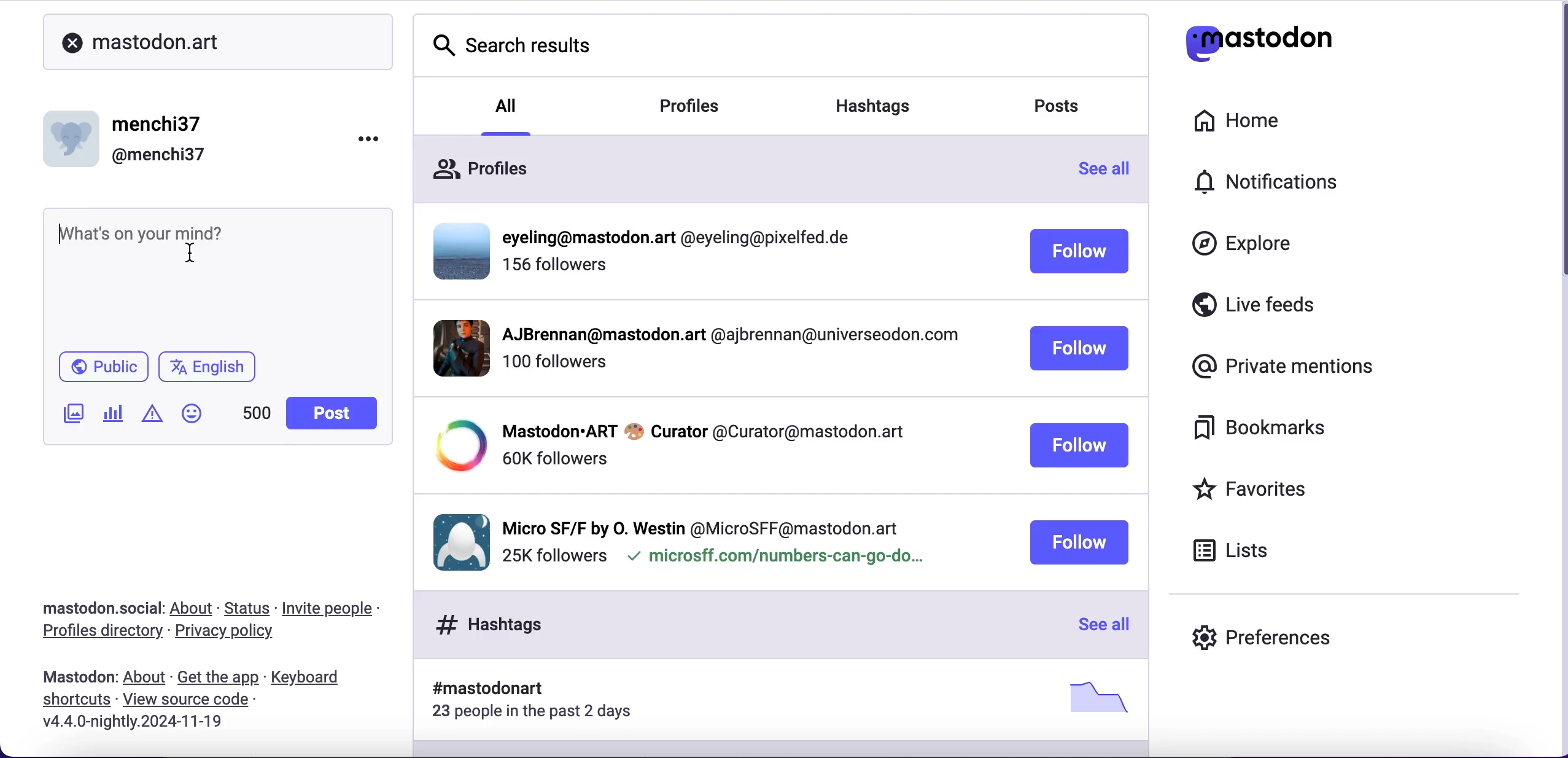 This screenshot has height=758, width=1568. I want to click on word count, so click(258, 413).